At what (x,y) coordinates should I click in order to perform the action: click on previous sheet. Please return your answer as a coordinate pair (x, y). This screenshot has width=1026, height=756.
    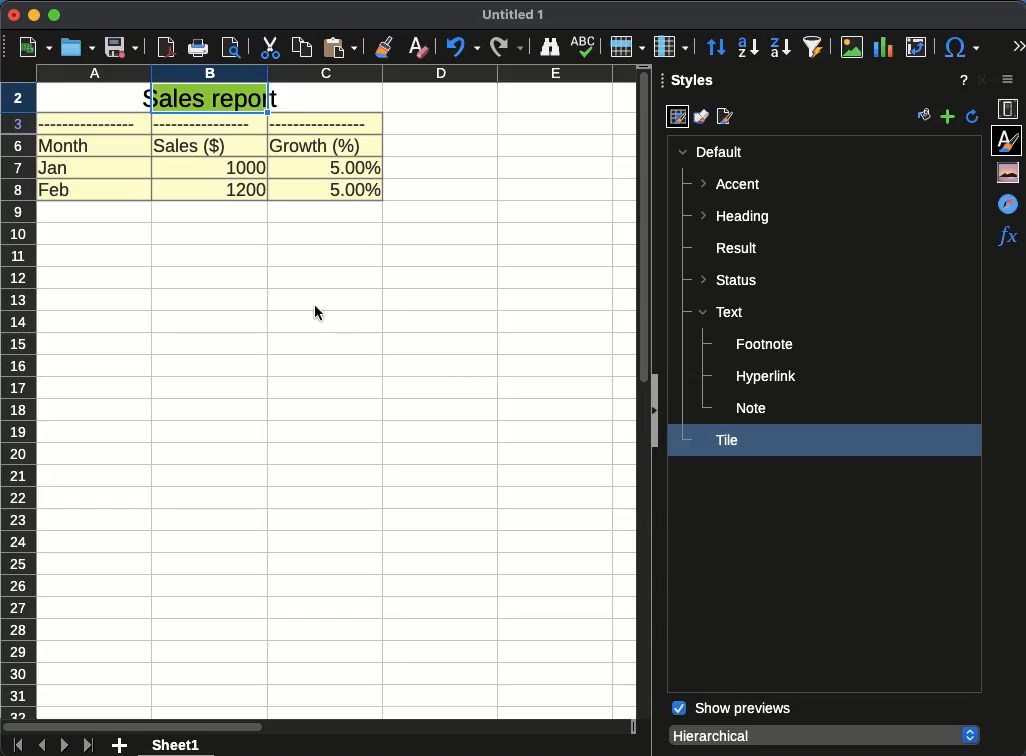
    Looking at the image, I should click on (42, 746).